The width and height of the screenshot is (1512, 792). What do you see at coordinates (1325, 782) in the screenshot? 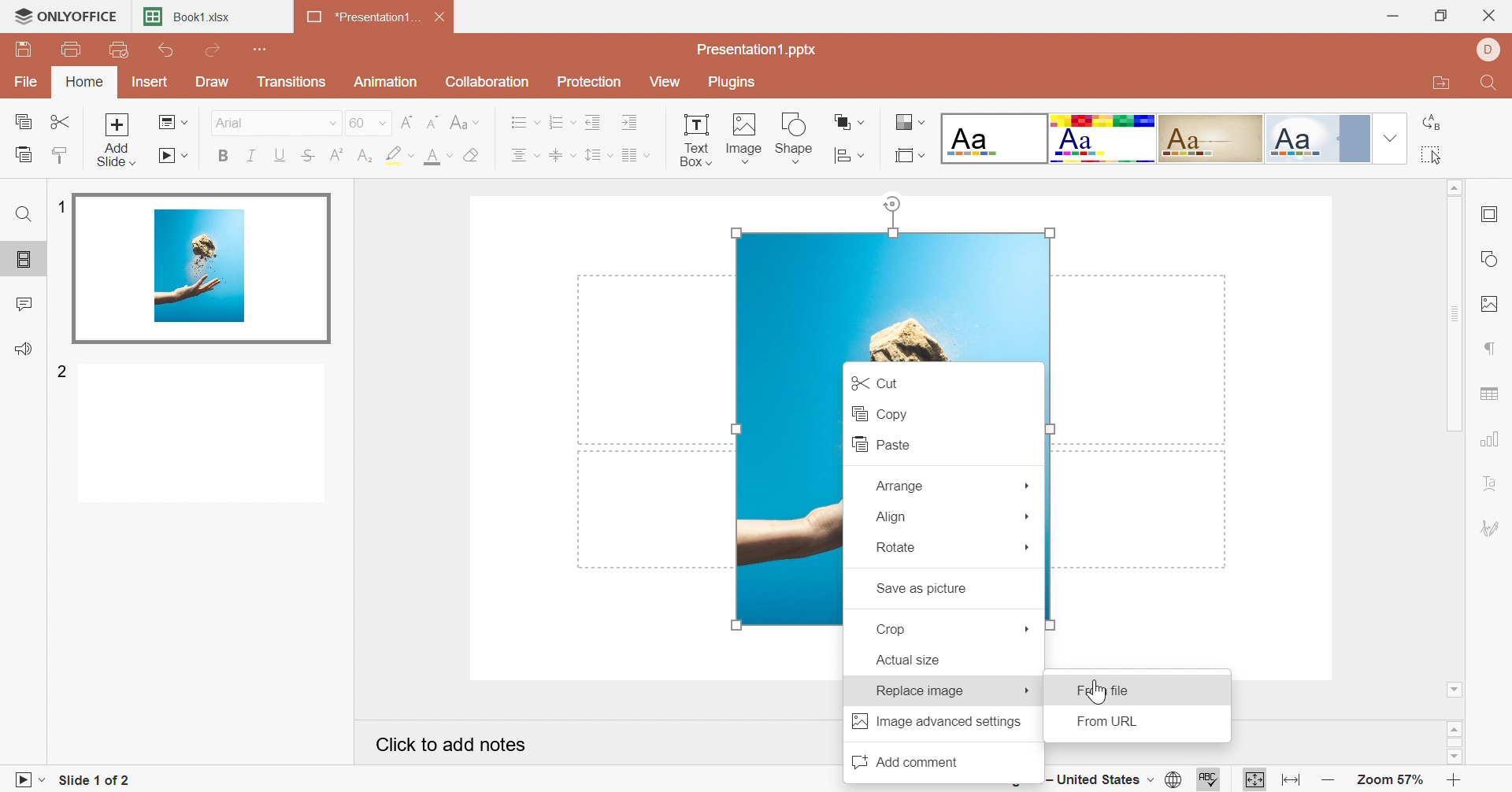
I see `Zoom out` at bounding box center [1325, 782].